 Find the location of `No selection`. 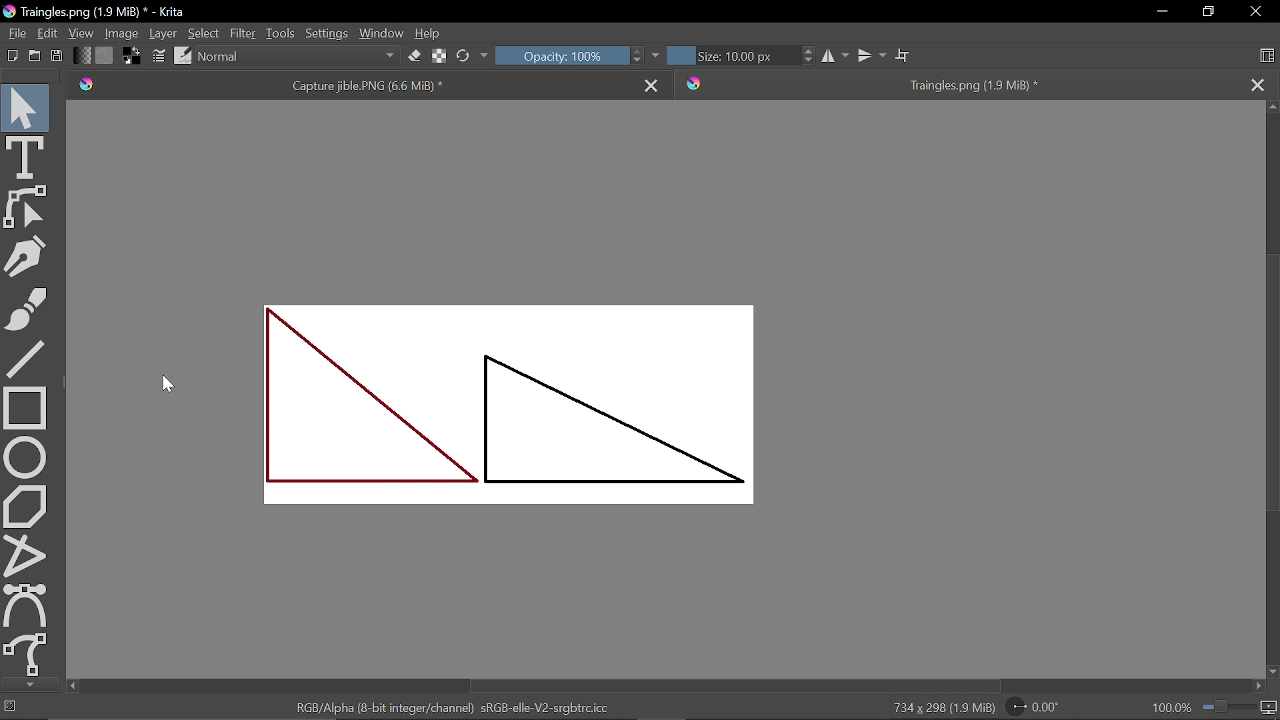

No selection is located at coordinates (11, 709).